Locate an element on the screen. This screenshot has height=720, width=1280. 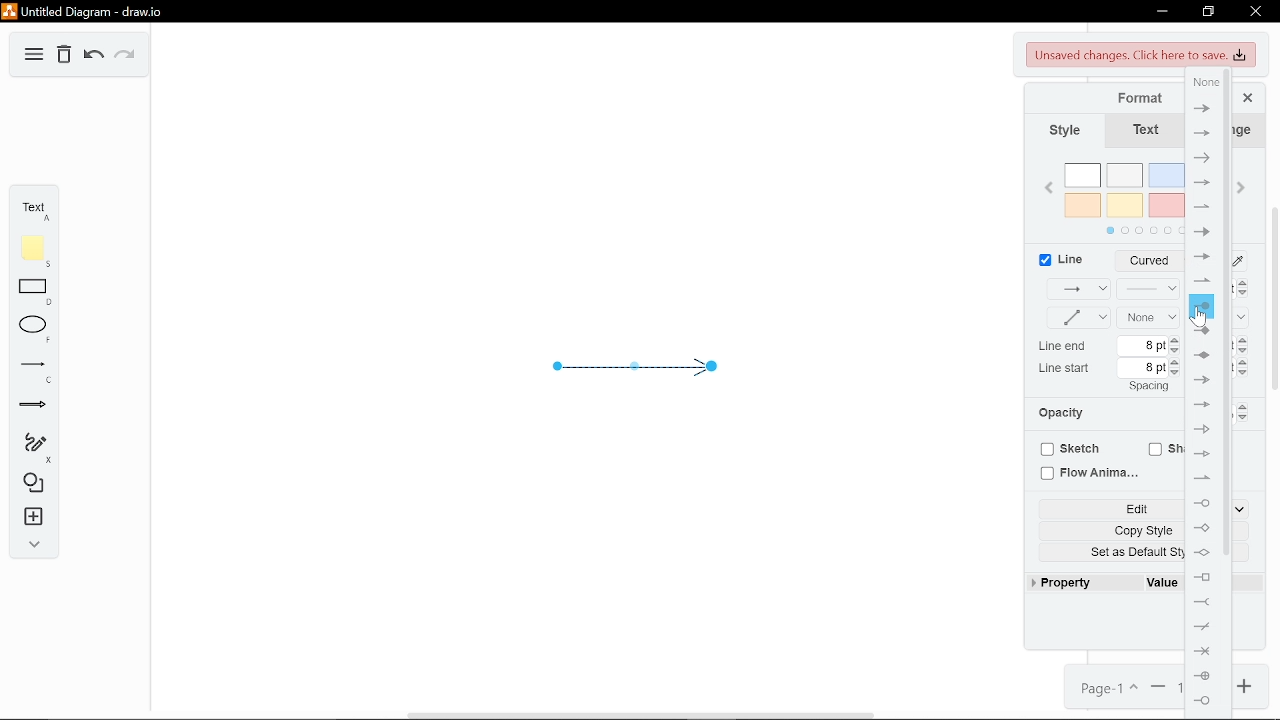
Unsaved changes. click here to save is located at coordinates (1139, 56).